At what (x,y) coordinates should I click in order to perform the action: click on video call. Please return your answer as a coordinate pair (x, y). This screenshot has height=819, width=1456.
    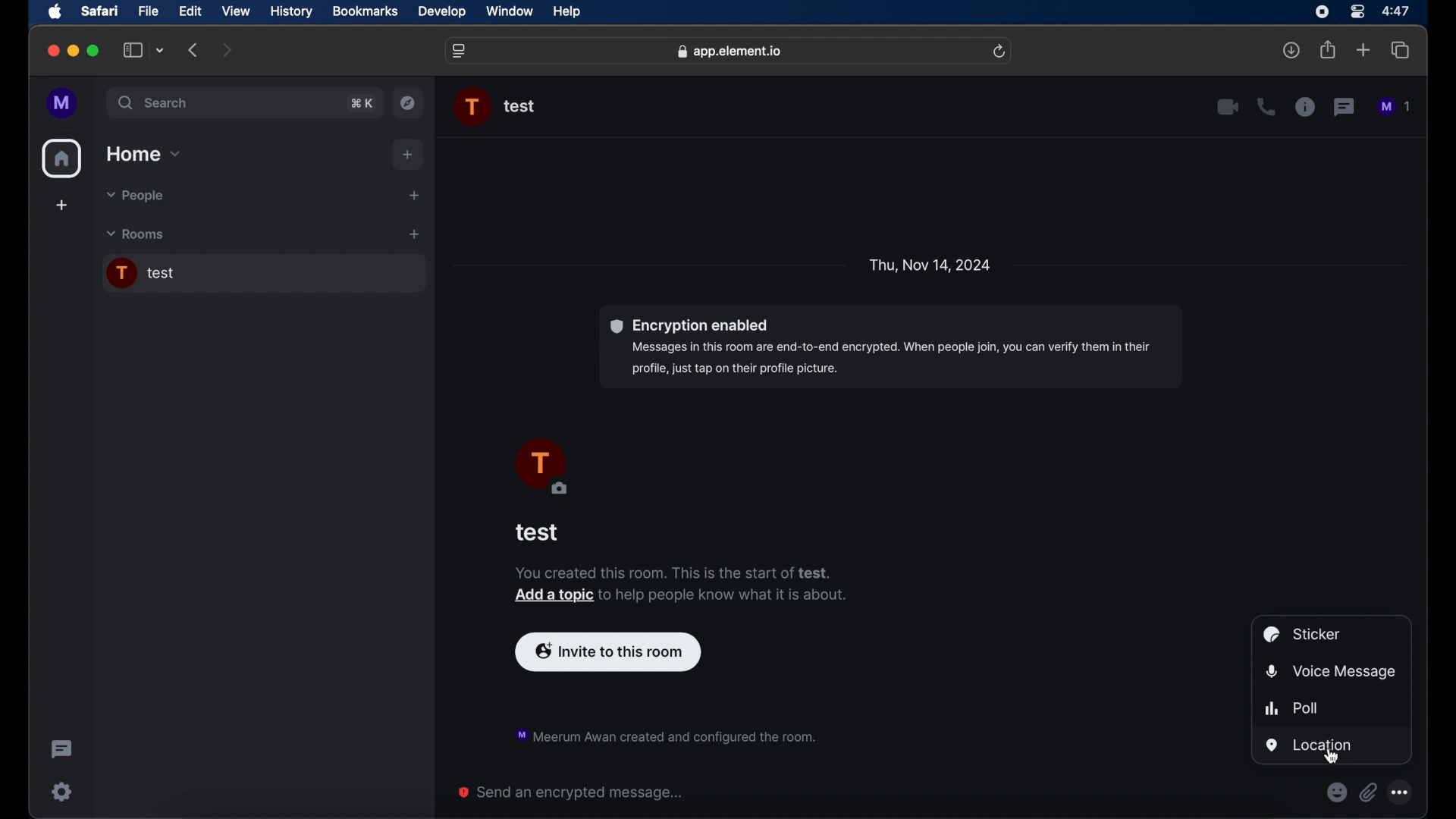
    Looking at the image, I should click on (1228, 107).